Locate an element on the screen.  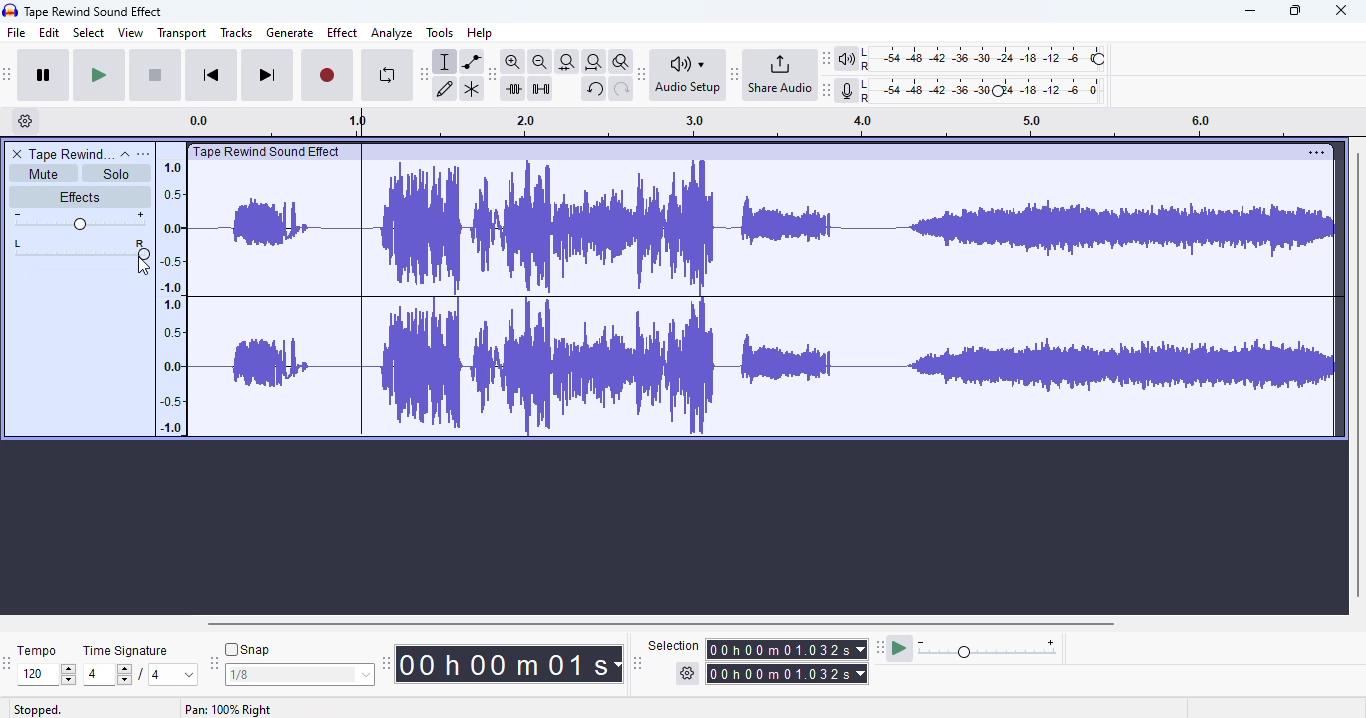
audacity selection toolbar is located at coordinates (637, 663).